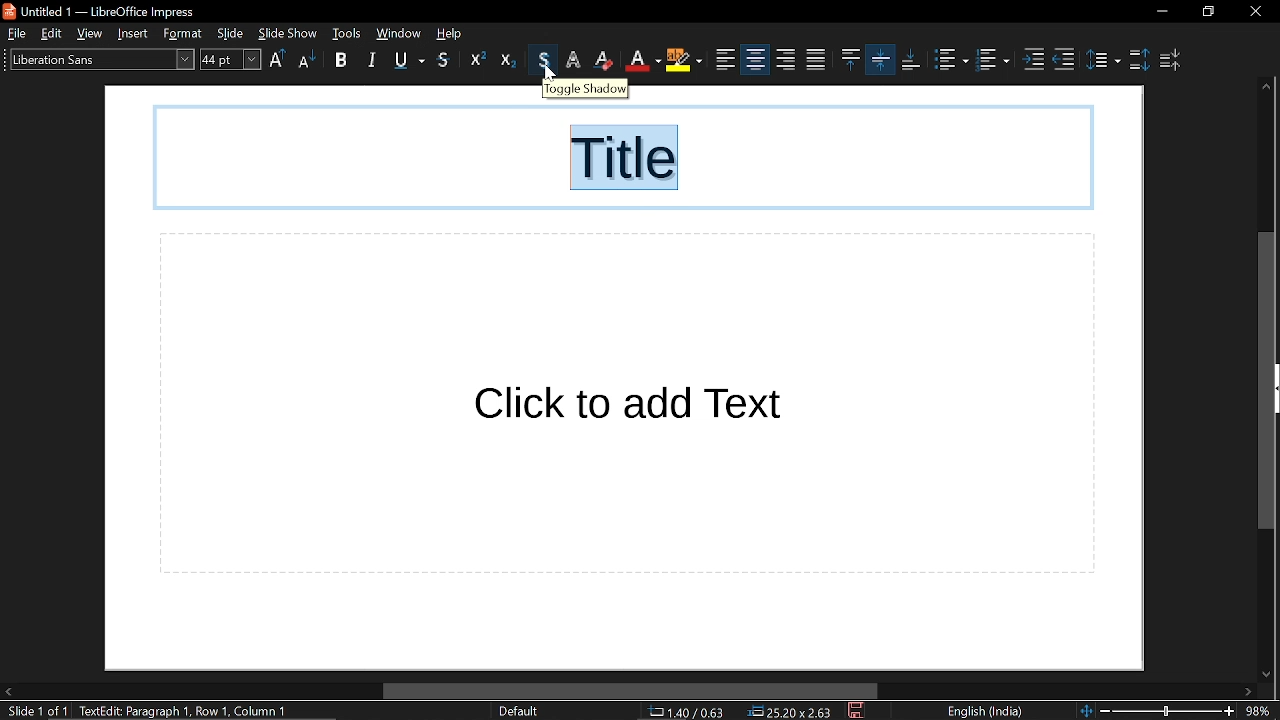  Describe the element at coordinates (1261, 711) in the screenshot. I see `current zoom` at that location.